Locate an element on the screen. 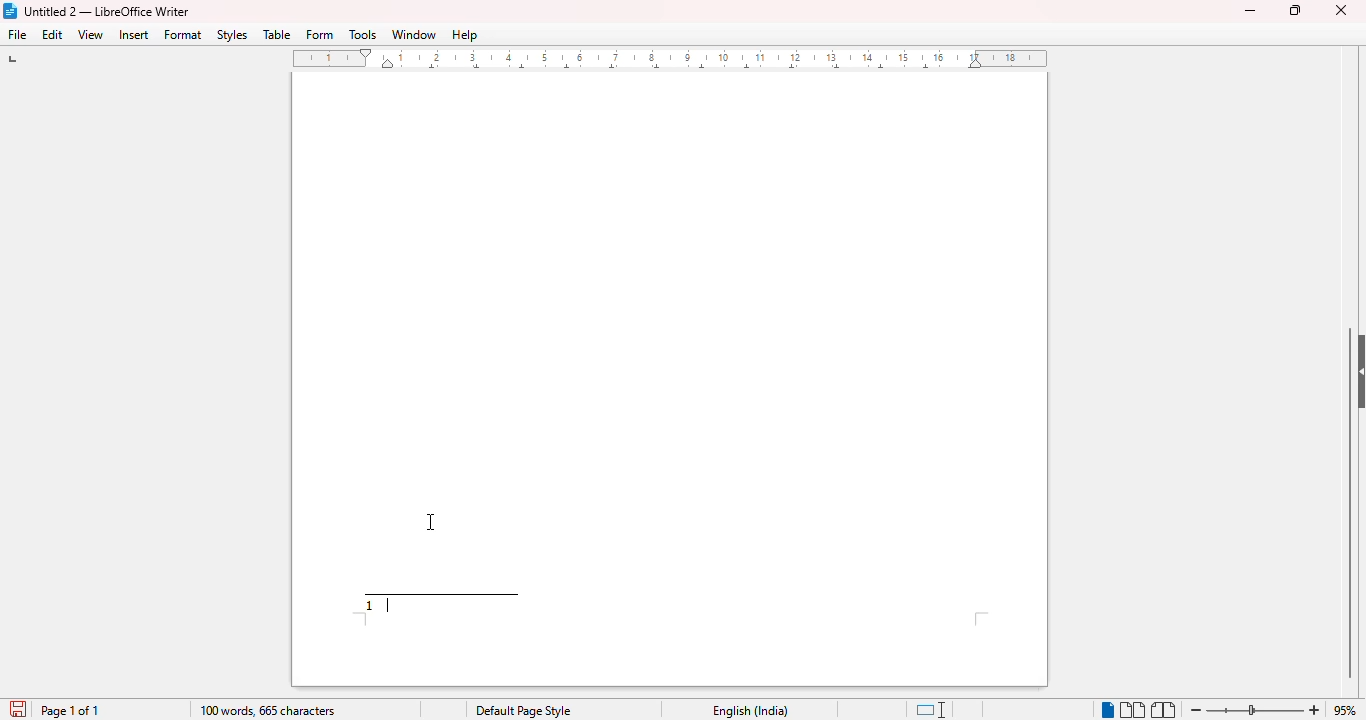  typing is located at coordinates (393, 606).